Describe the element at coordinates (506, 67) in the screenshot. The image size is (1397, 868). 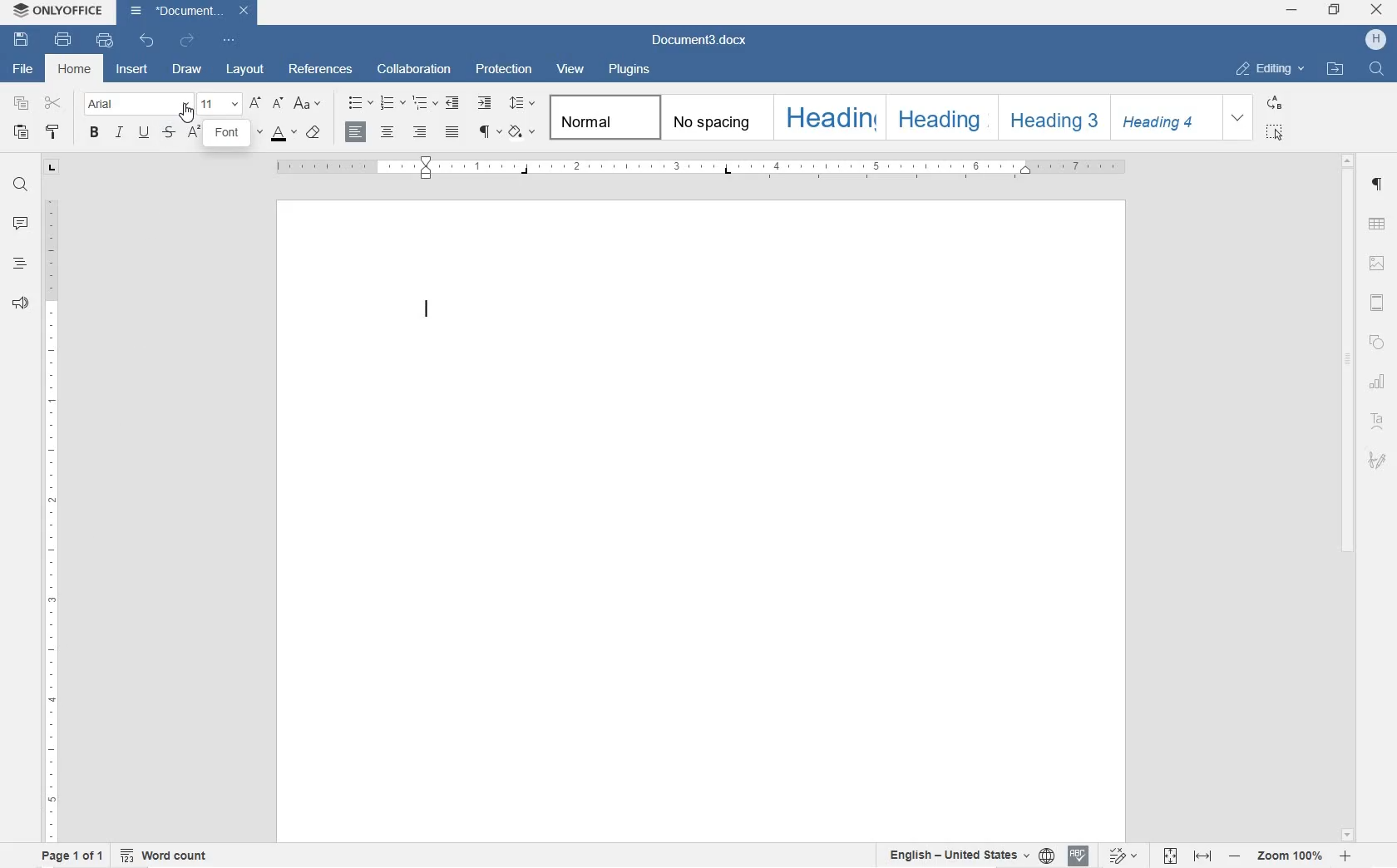
I see `PROTECTION` at that location.